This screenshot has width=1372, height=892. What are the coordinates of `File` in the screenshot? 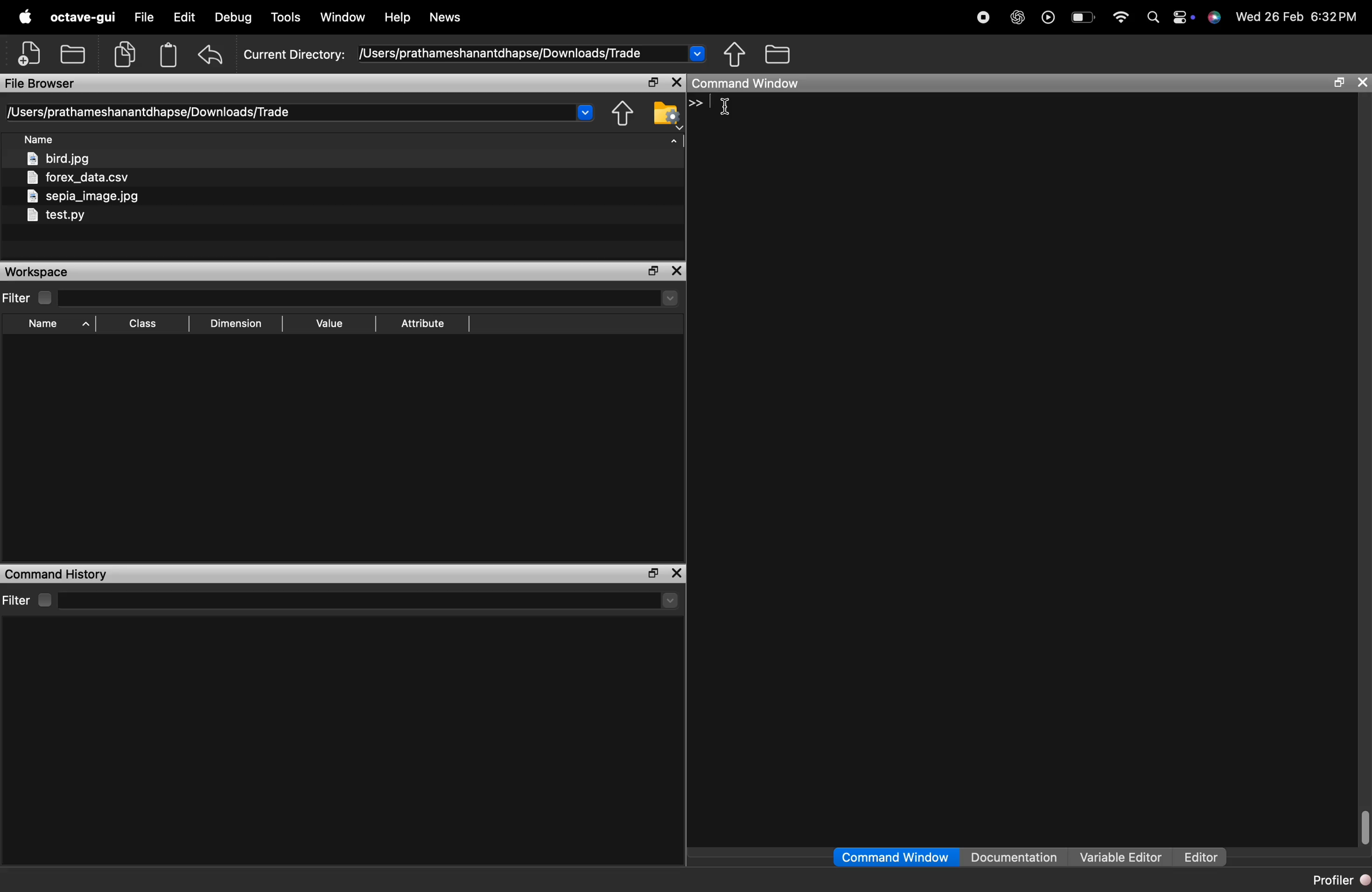 It's located at (142, 18).